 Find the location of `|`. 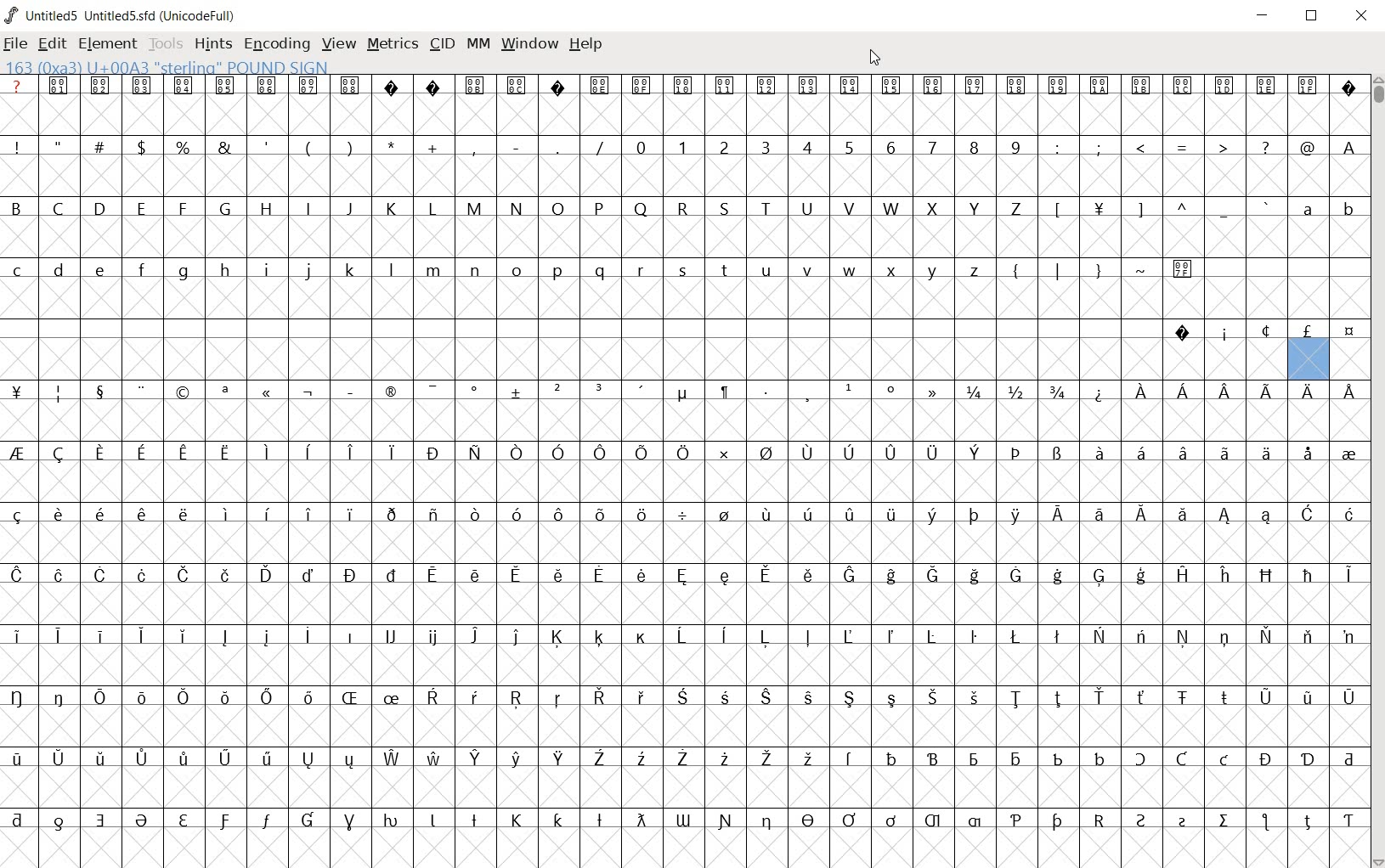

| is located at coordinates (1054, 269).